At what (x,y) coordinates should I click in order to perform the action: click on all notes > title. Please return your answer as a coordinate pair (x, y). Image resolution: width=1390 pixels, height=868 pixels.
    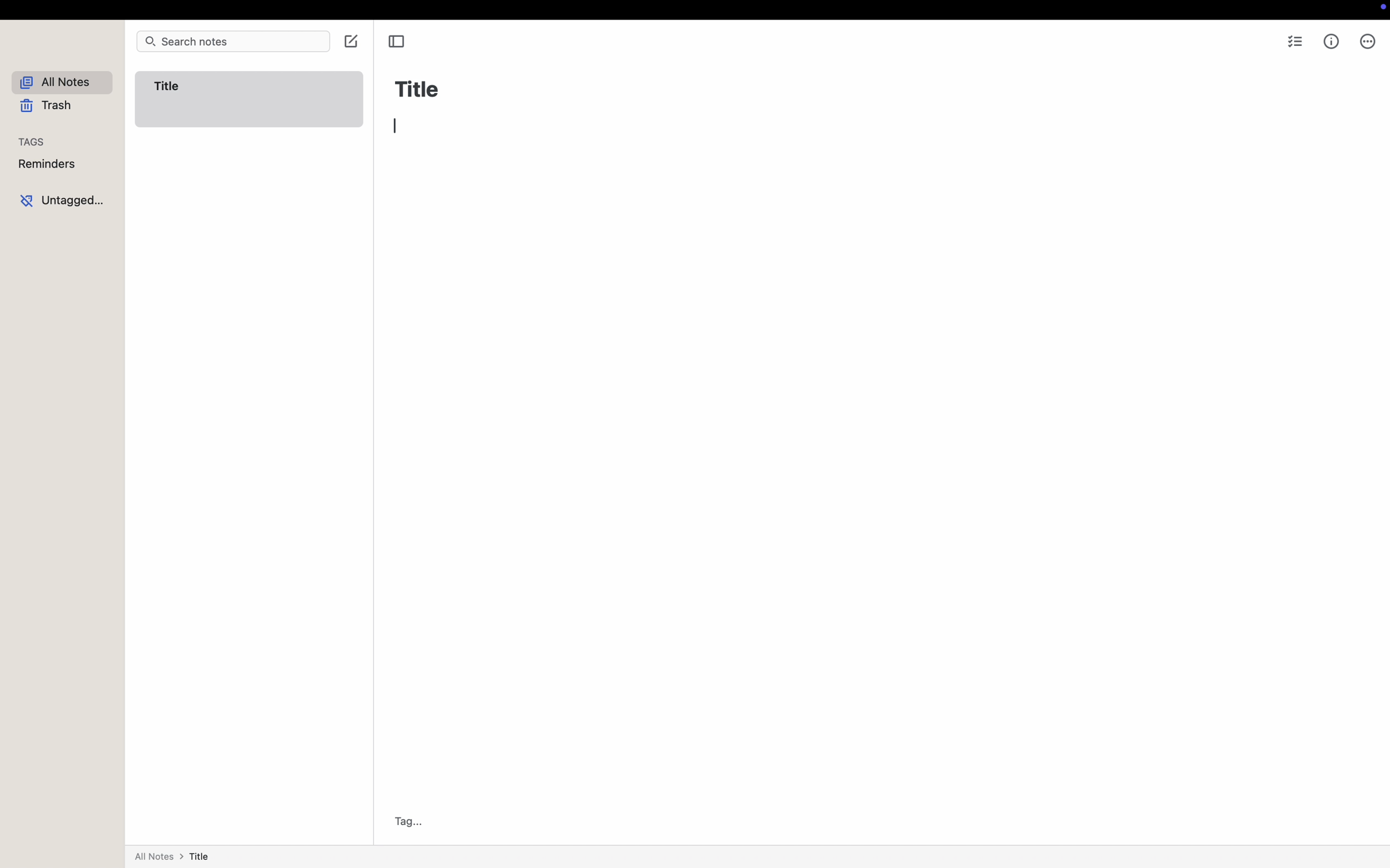
    Looking at the image, I should click on (176, 857).